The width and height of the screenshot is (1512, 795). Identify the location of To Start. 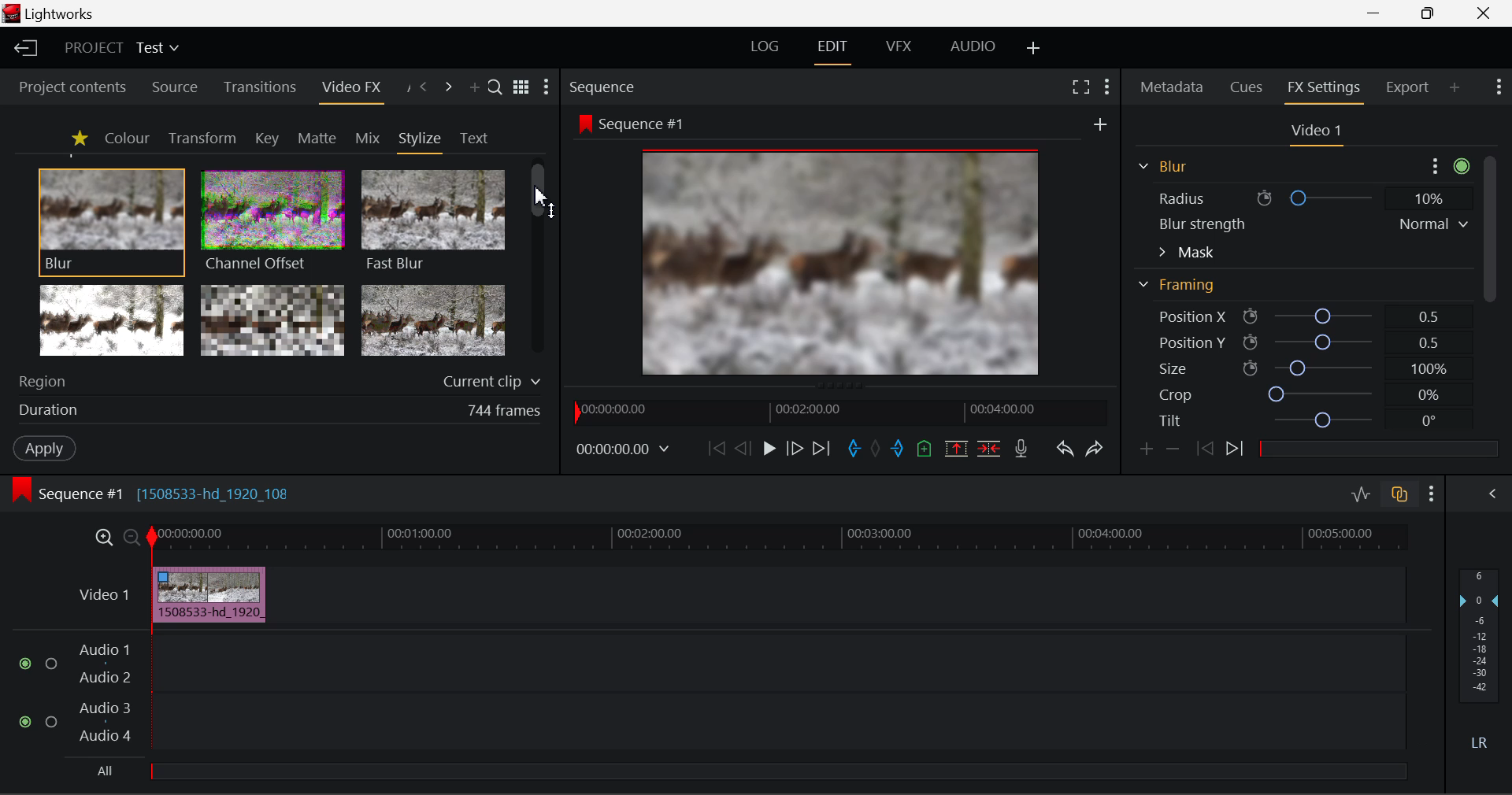
(714, 447).